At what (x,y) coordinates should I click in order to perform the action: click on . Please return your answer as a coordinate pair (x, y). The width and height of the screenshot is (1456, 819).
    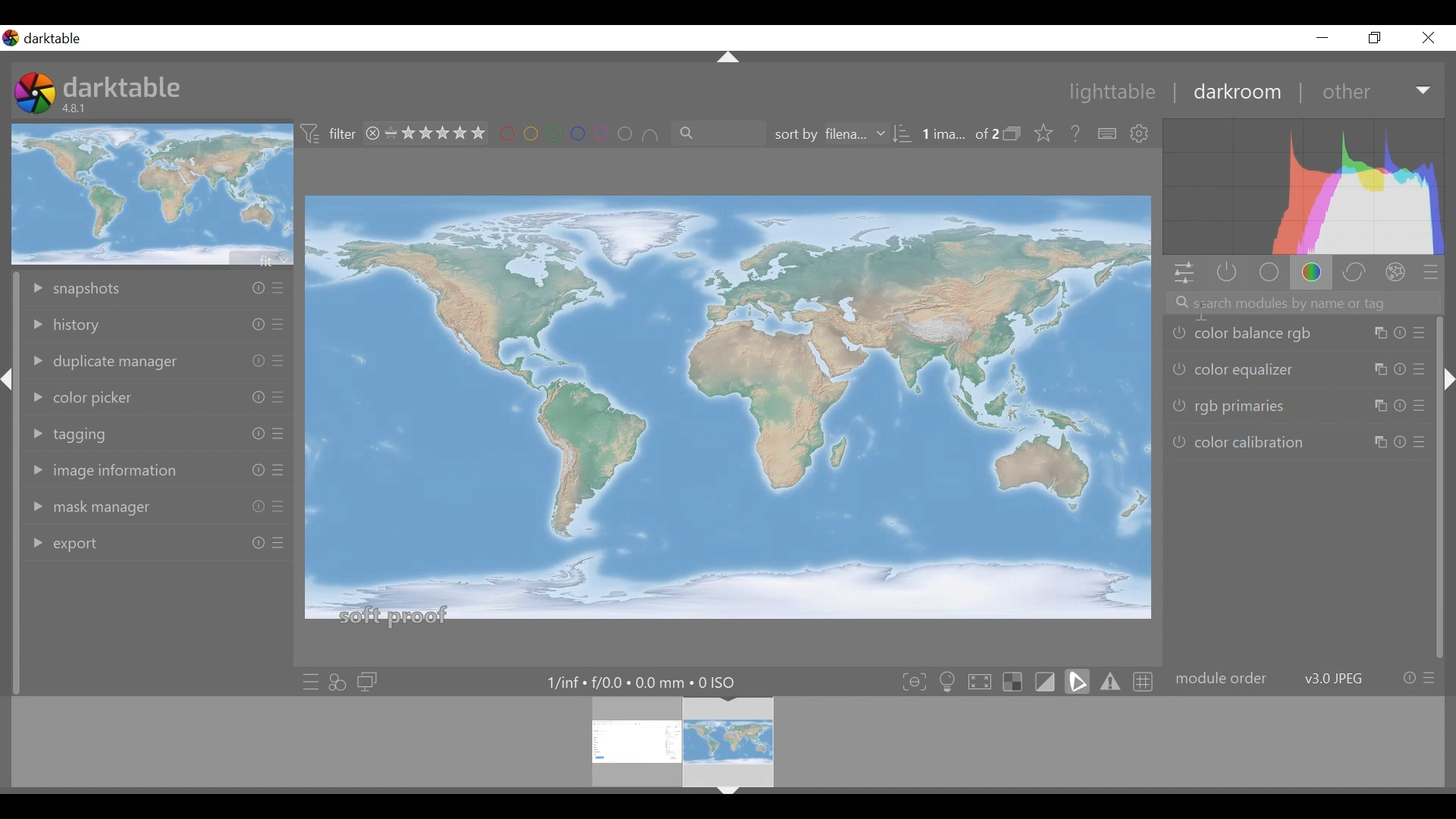
    Looking at the image, I should click on (254, 360).